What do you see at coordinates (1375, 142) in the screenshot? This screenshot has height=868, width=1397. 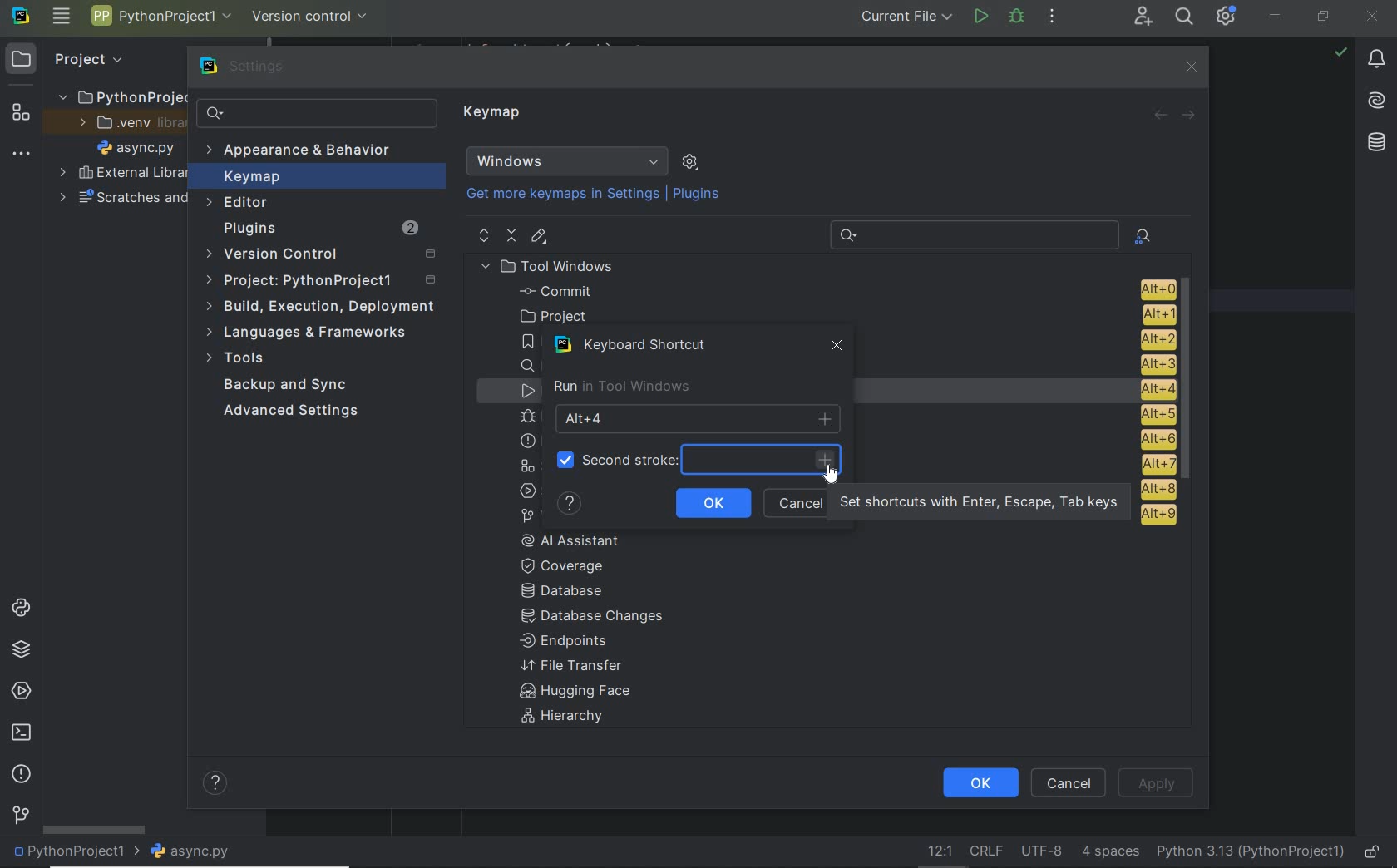 I see `database` at bounding box center [1375, 142].